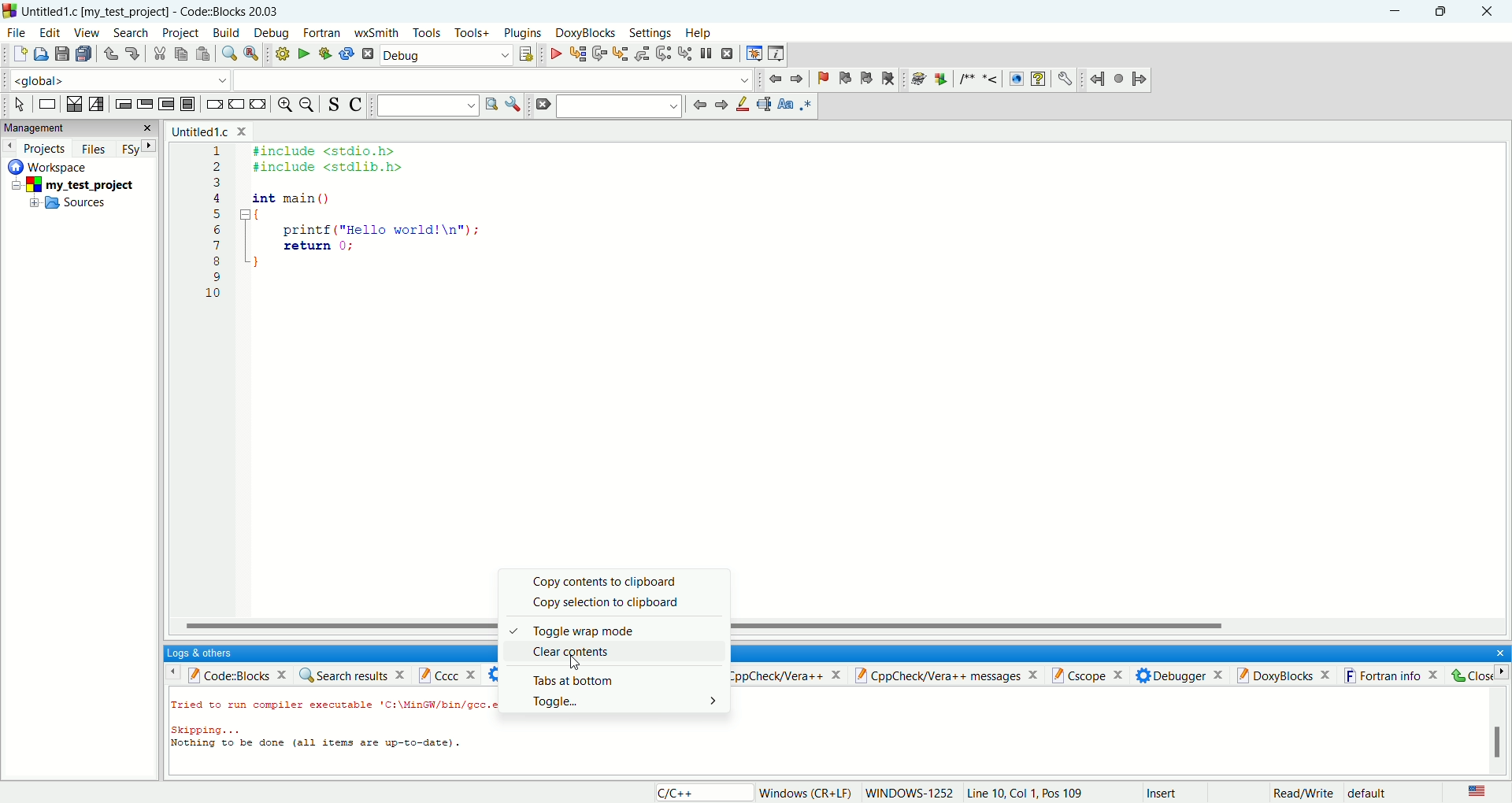 This screenshot has width=1512, height=803. Describe the element at coordinates (642, 54) in the screenshot. I see `step out` at that location.